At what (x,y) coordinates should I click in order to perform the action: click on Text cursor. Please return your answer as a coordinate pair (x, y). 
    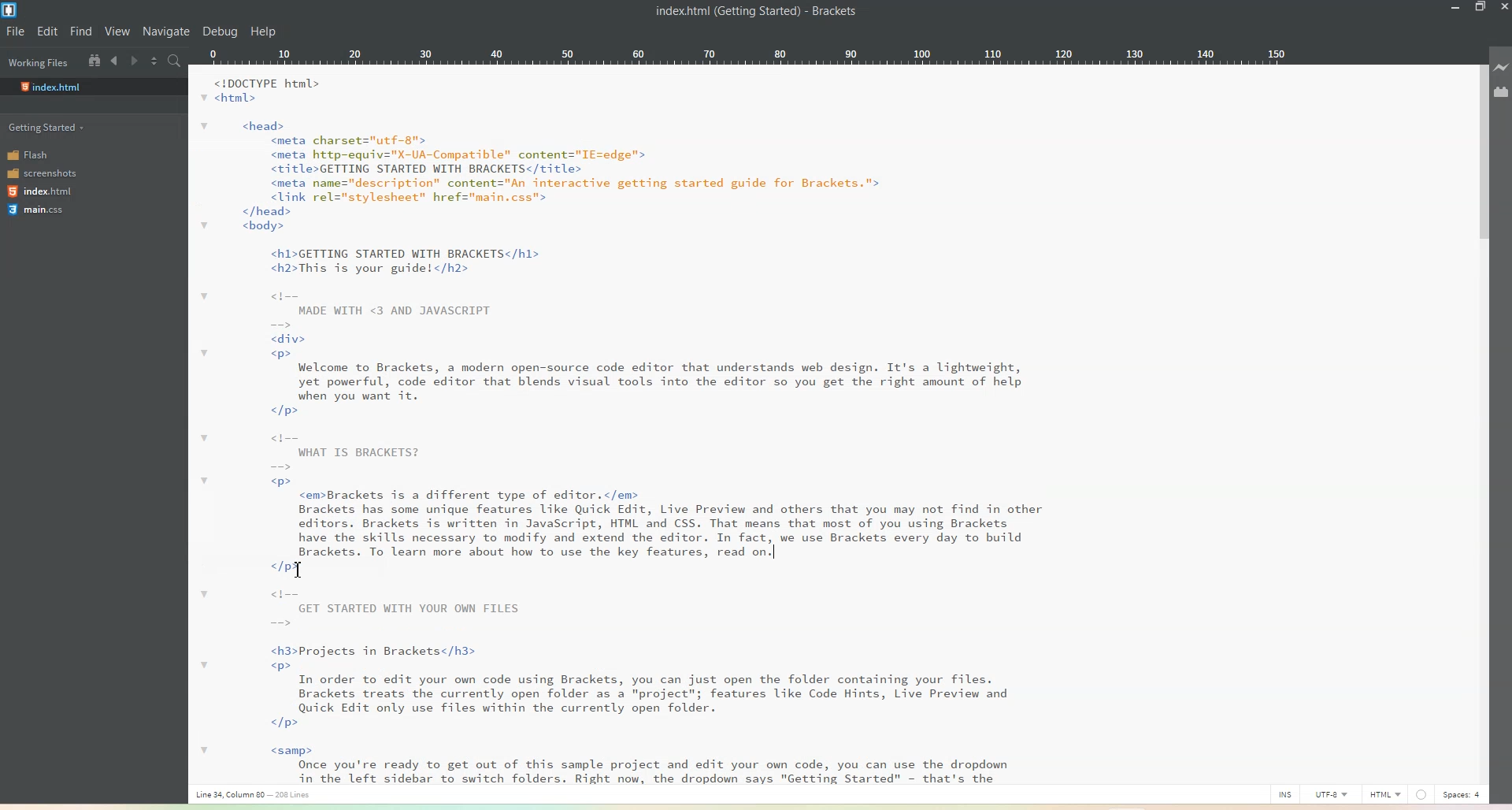
    Looking at the image, I should click on (302, 569).